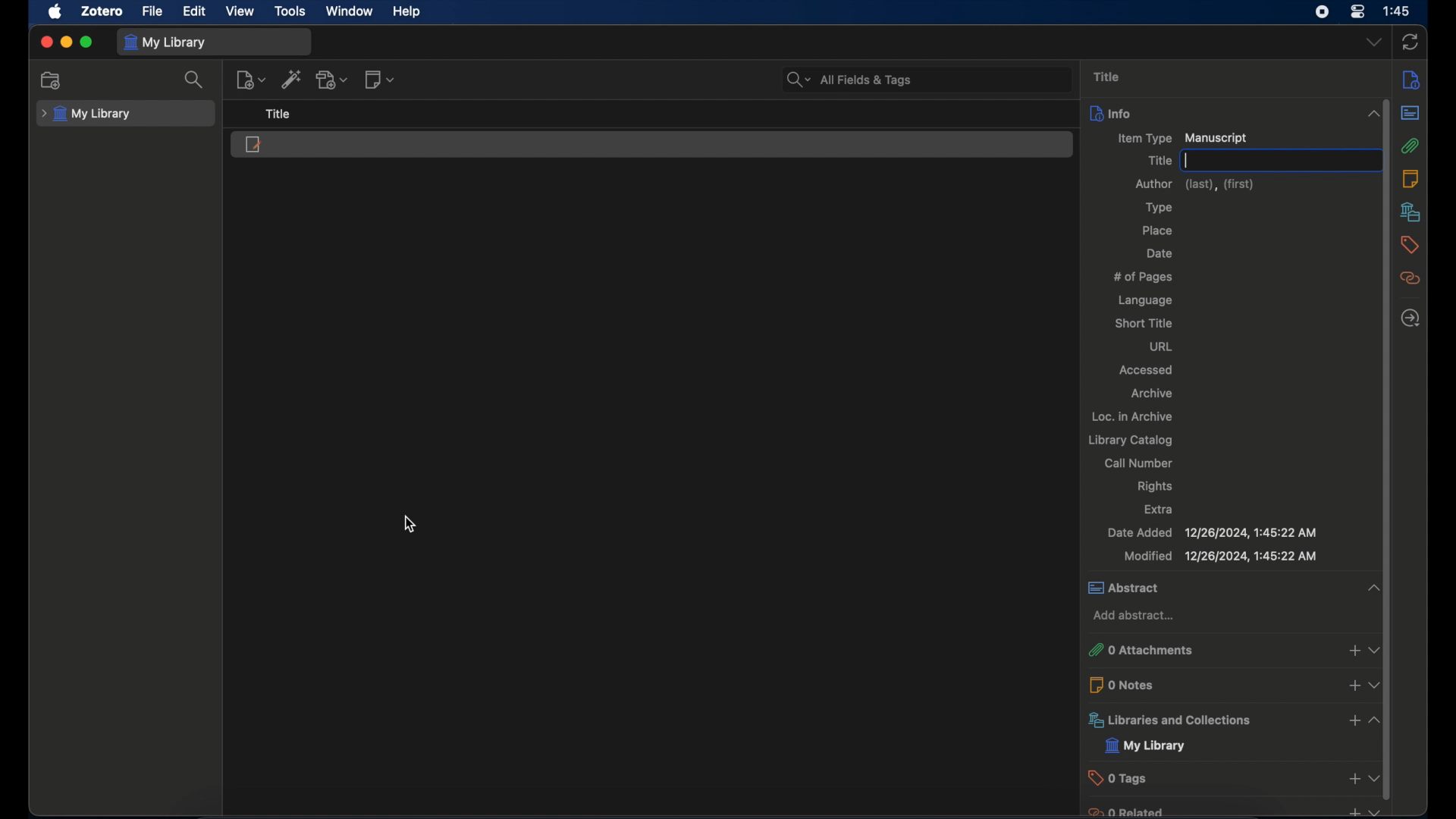 The image size is (1456, 819). Describe the element at coordinates (1410, 146) in the screenshot. I see `attachment` at that location.